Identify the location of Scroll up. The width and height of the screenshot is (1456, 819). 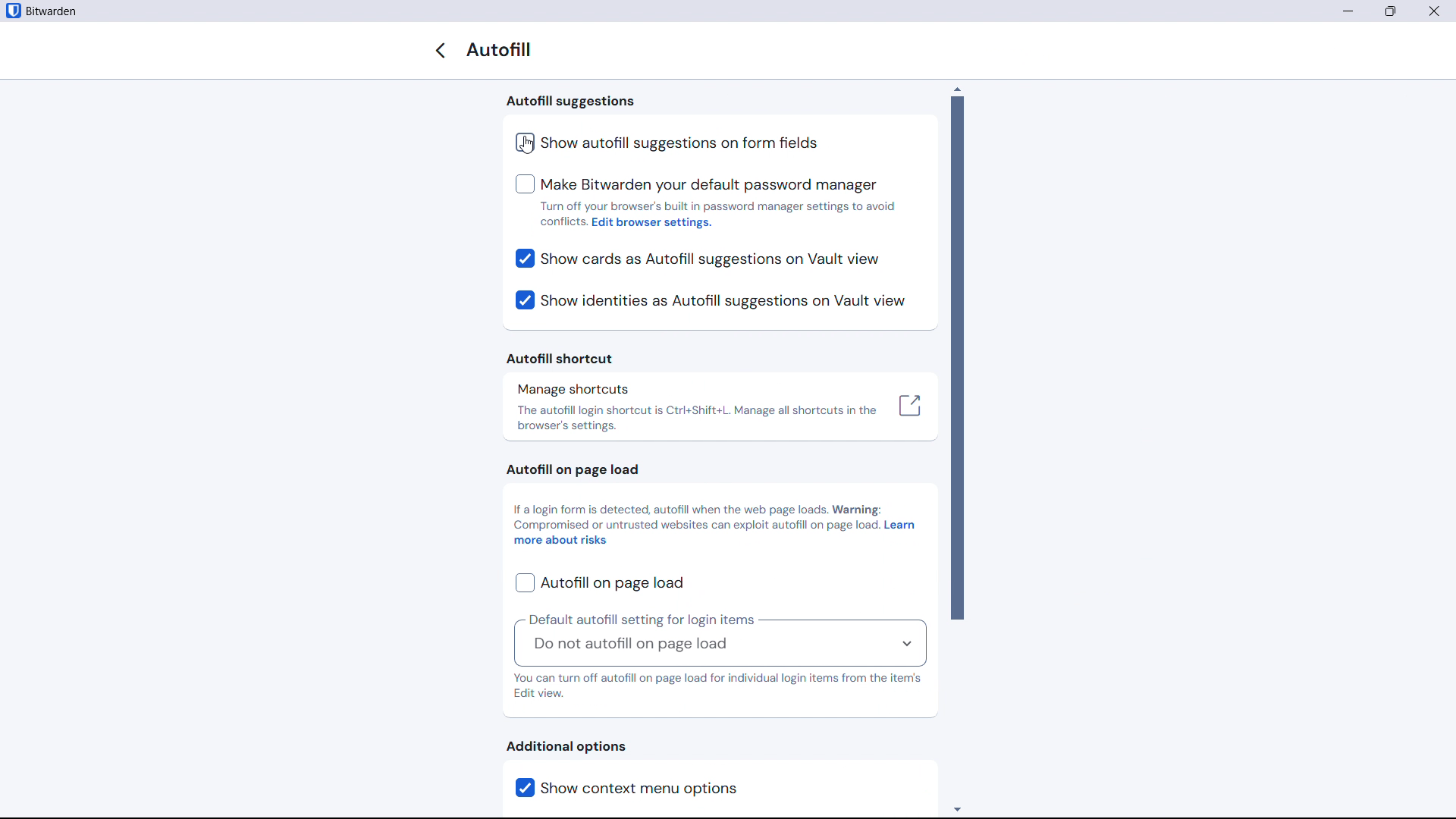
(957, 88).